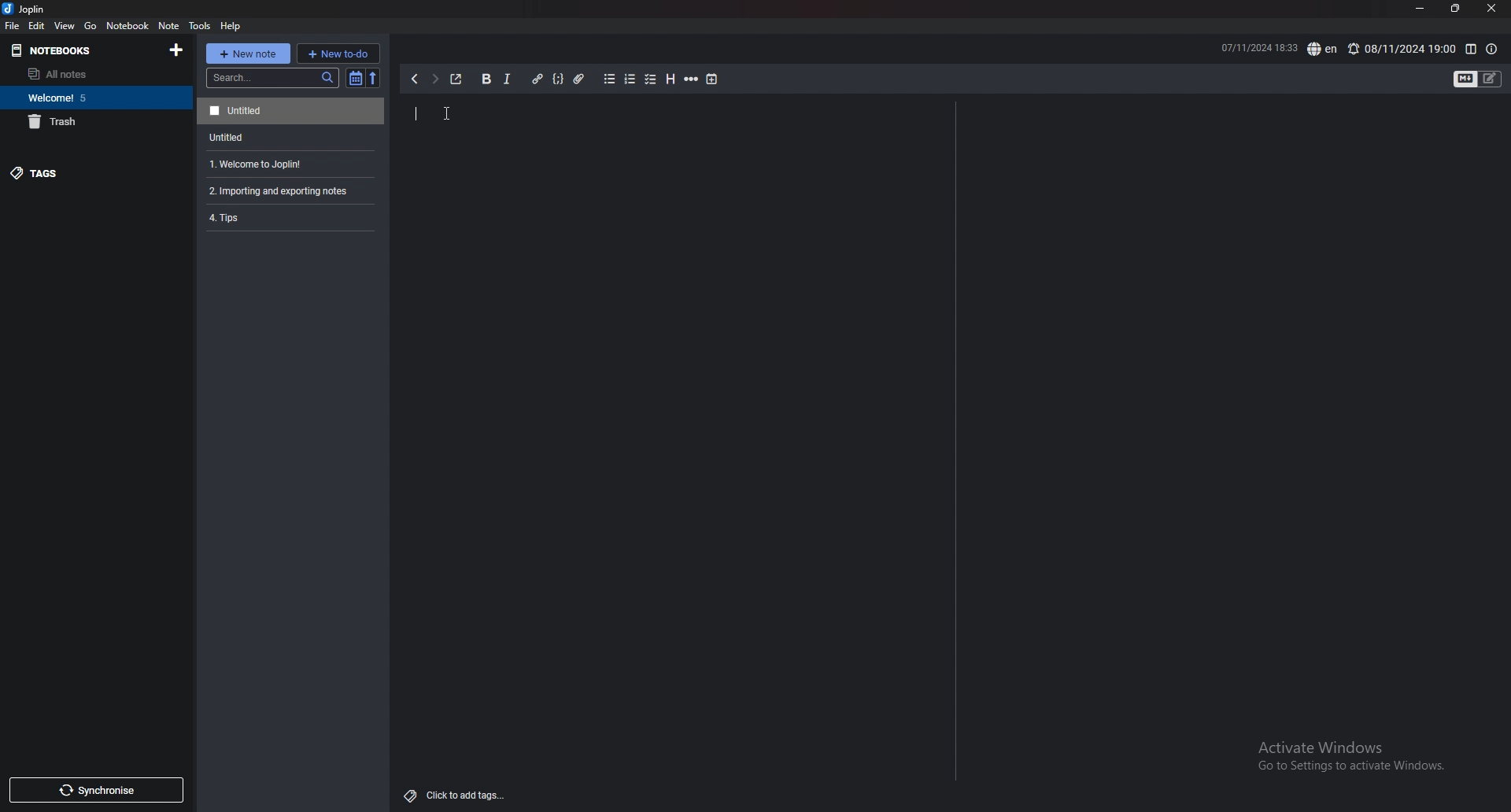 Image resolution: width=1511 pixels, height=812 pixels. Describe the element at coordinates (691, 79) in the screenshot. I see `horizontal rule` at that location.